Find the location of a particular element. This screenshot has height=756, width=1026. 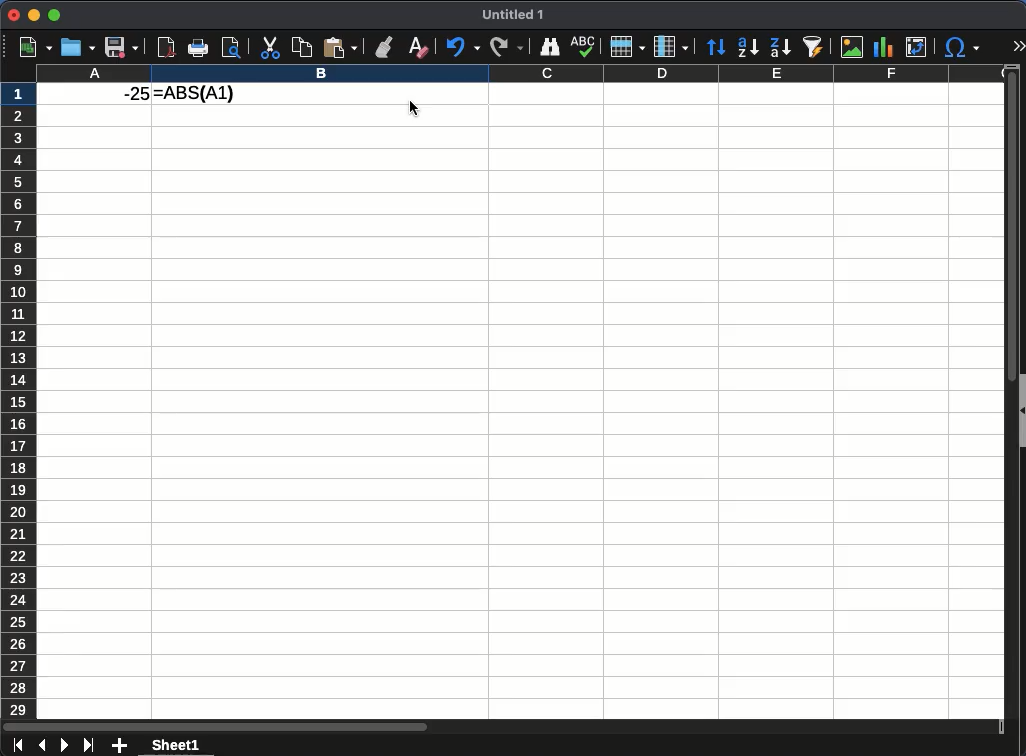

autofilter is located at coordinates (816, 47).